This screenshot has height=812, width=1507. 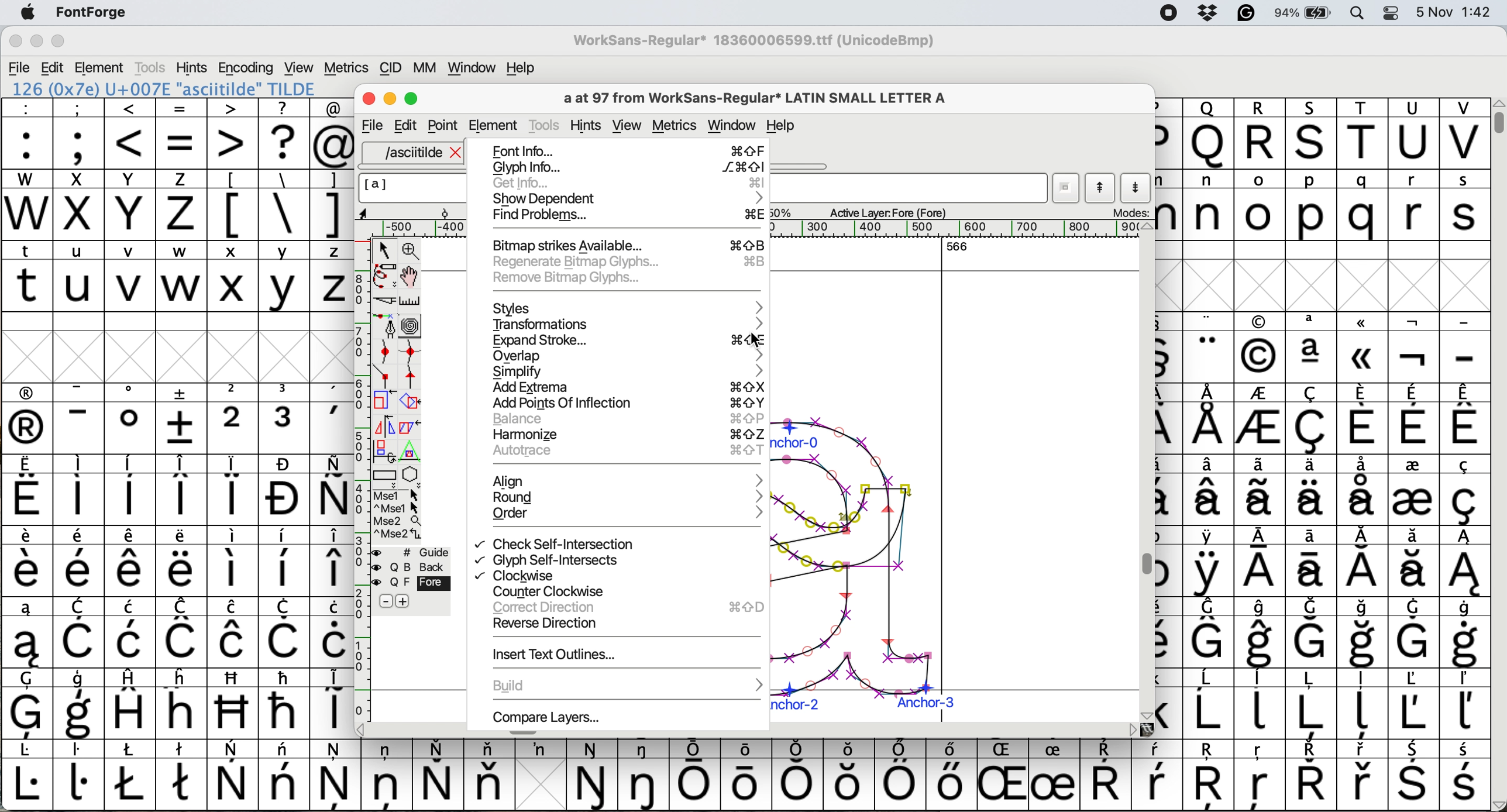 I want to click on symbol, so click(x=28, y=704).